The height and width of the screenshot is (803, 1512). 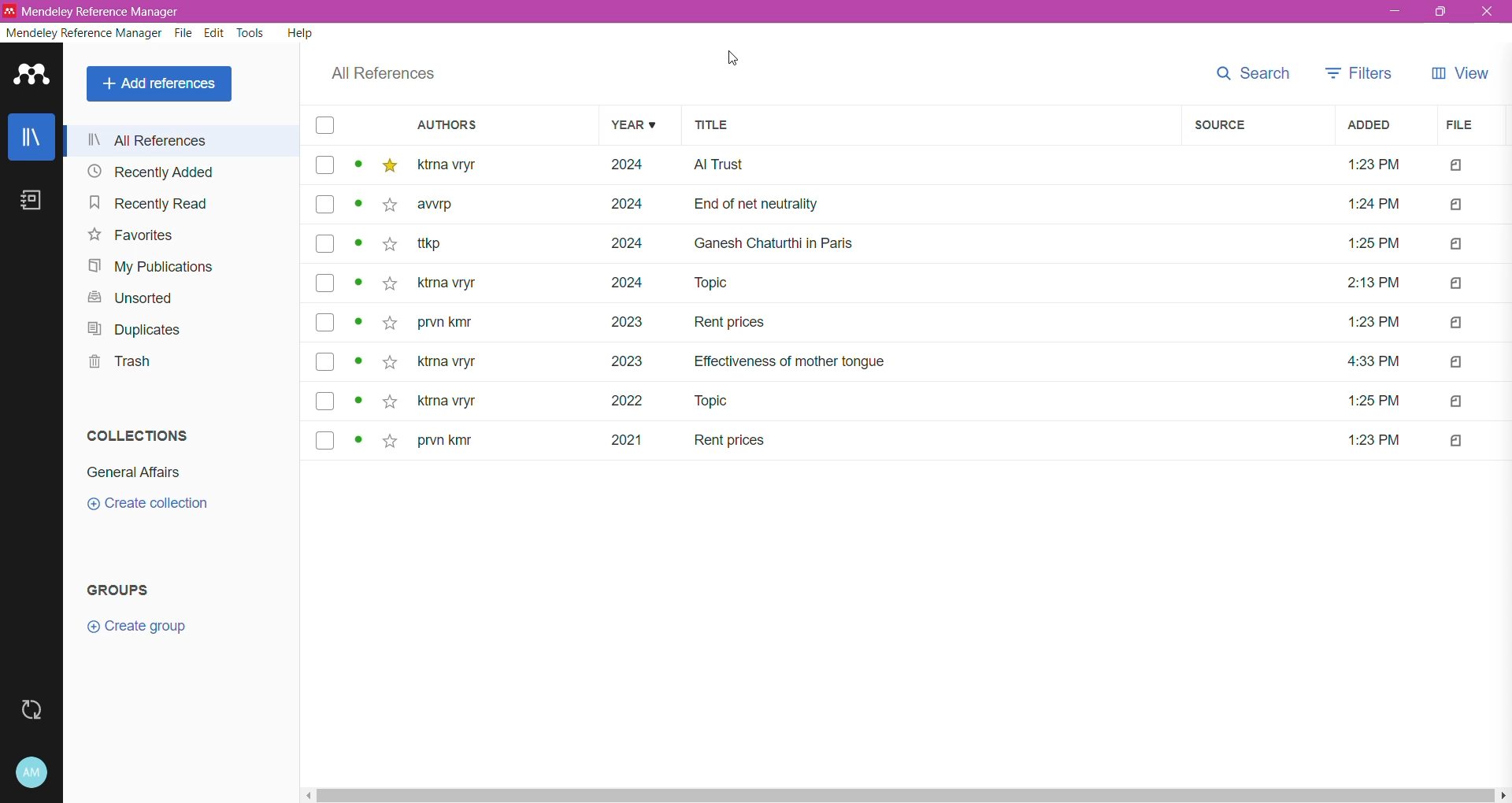 I want to click on Mendeley Reference Manager, so click(x=84, y=33).